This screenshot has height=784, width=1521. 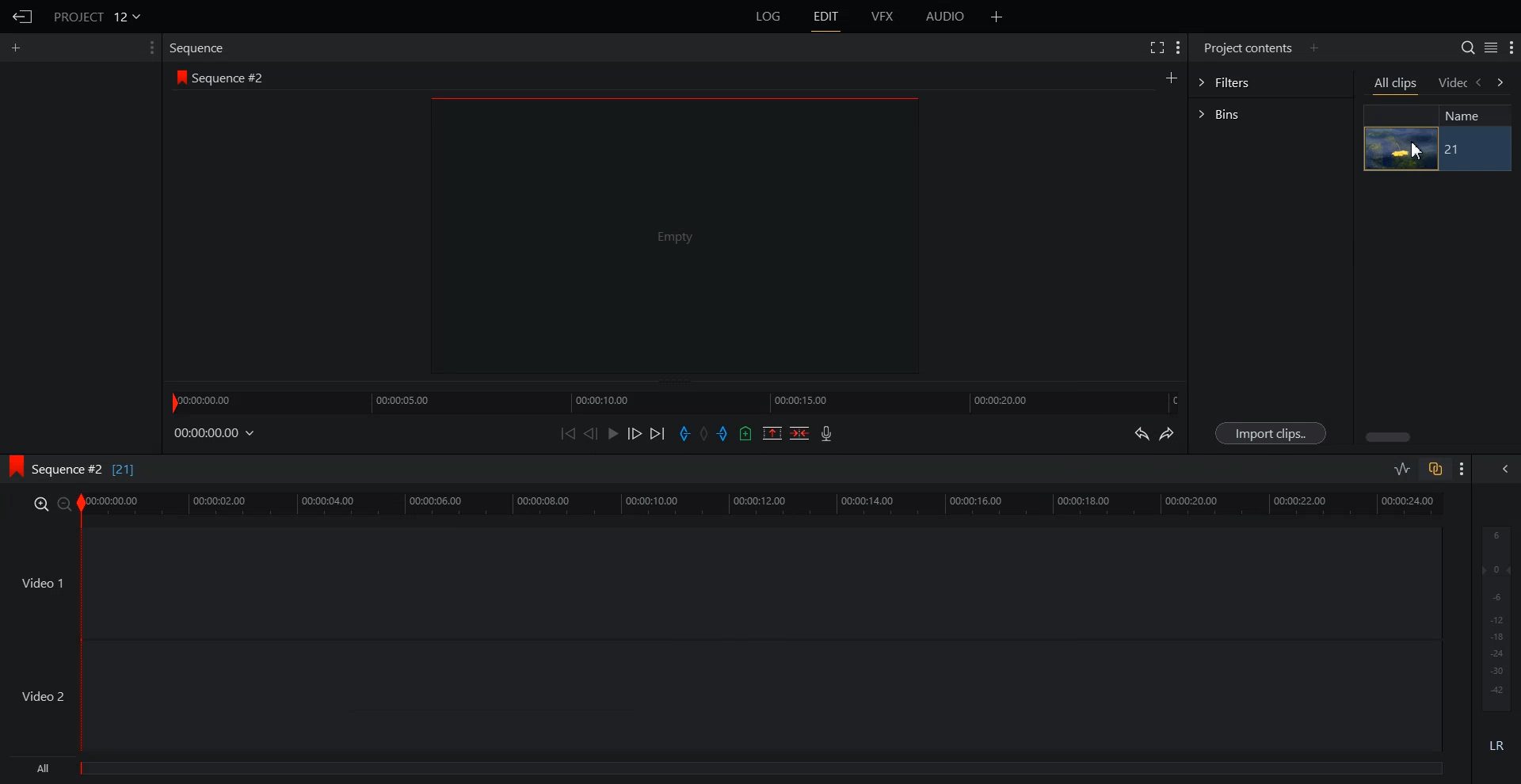 I want to click on Toggle Auto track Sync, so click(x=1434, y=469).